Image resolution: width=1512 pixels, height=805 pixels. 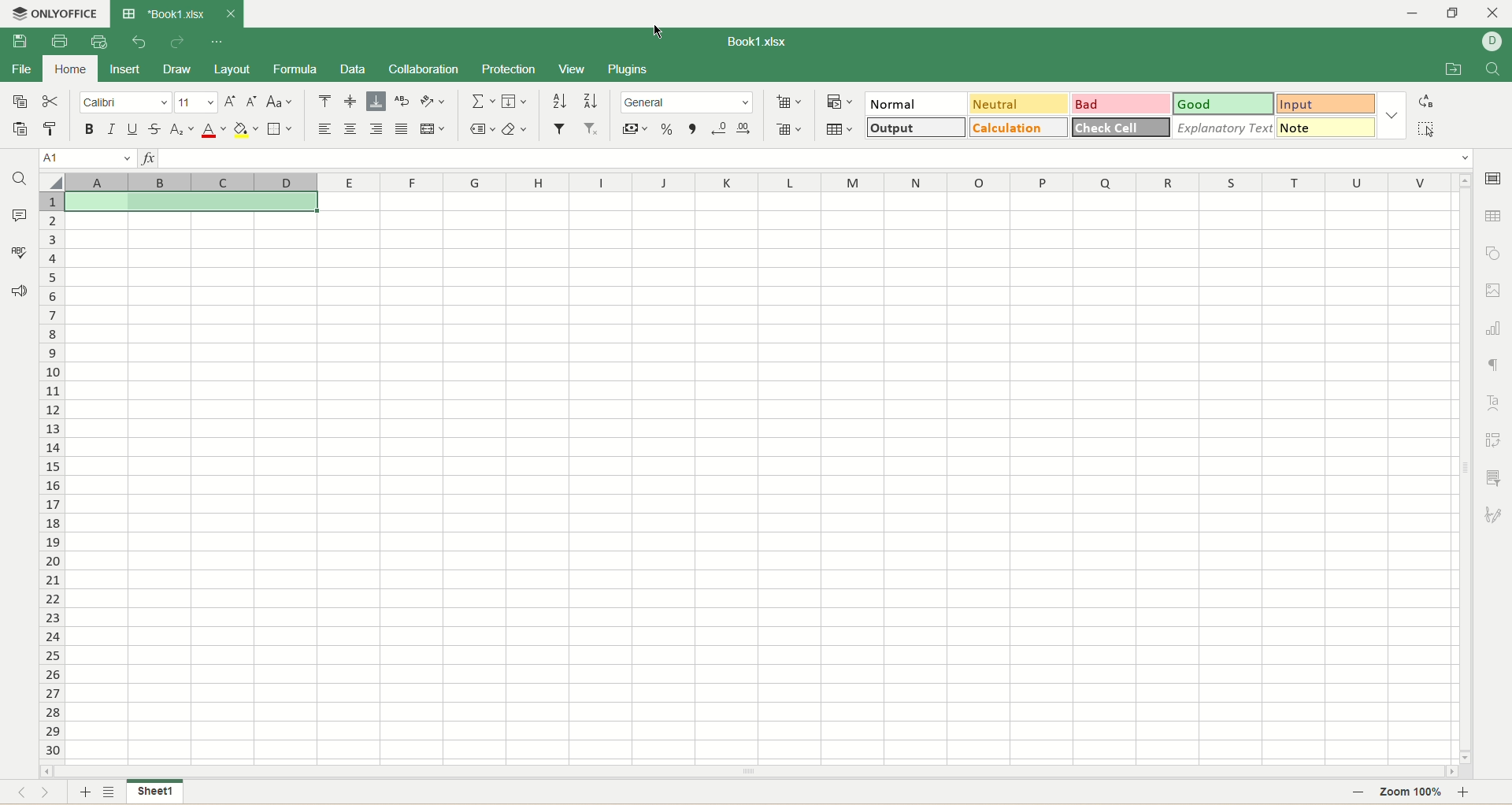 I want to click on border, so click(x=278, y=130).